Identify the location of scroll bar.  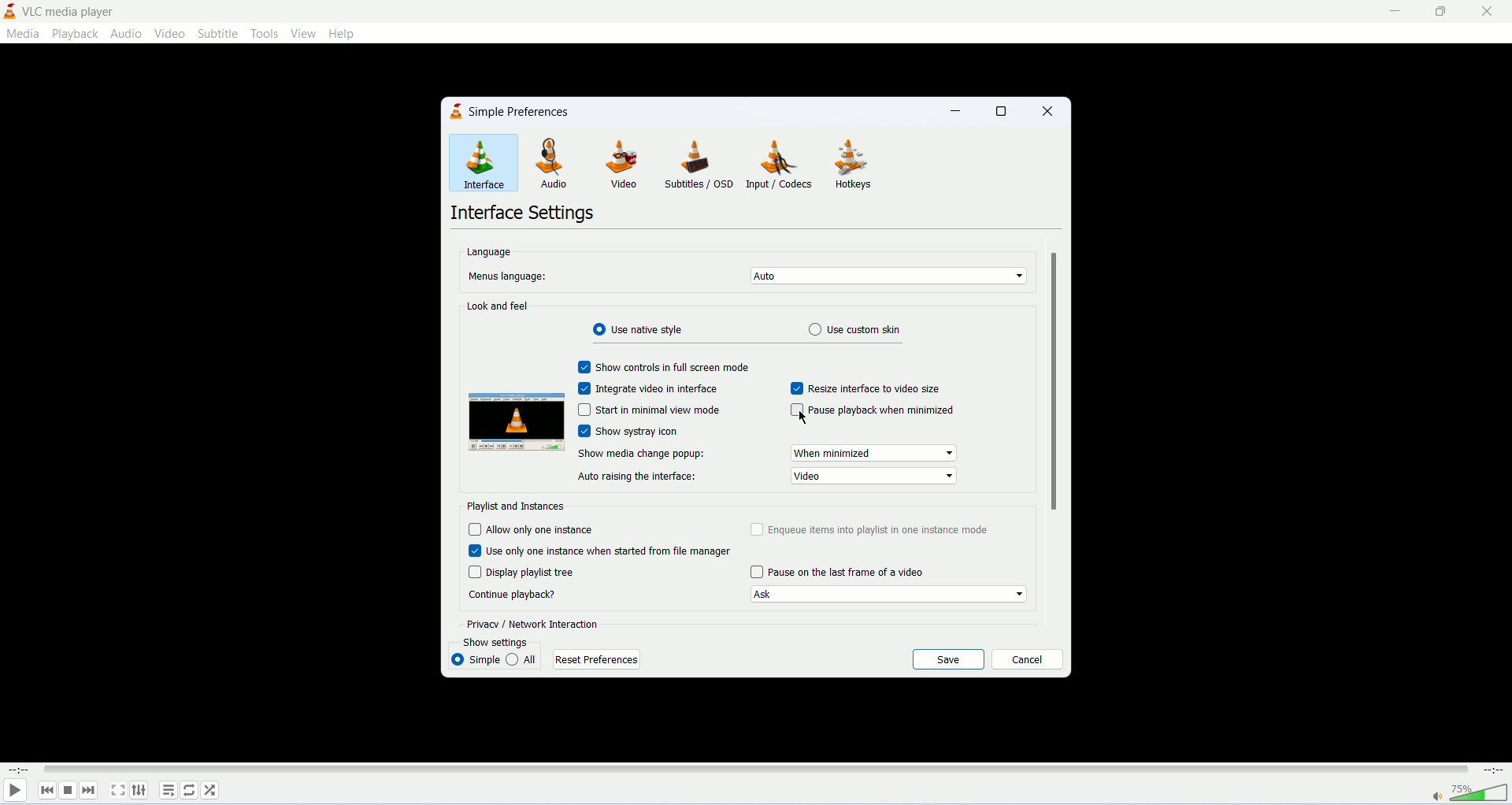
(1053, 431).